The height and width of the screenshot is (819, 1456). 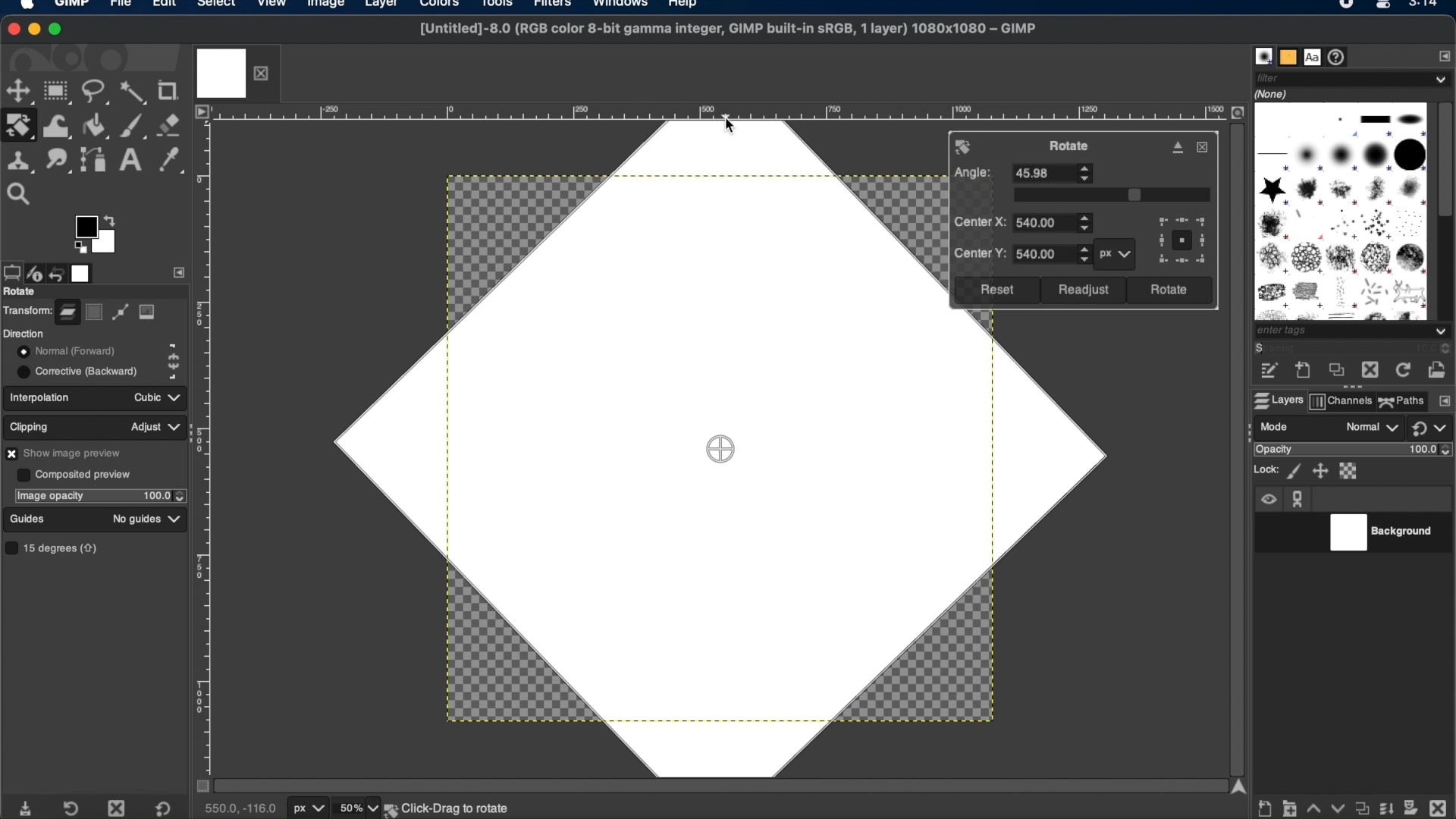 I want to click on configure this tab, so click(x=1444, y=402).